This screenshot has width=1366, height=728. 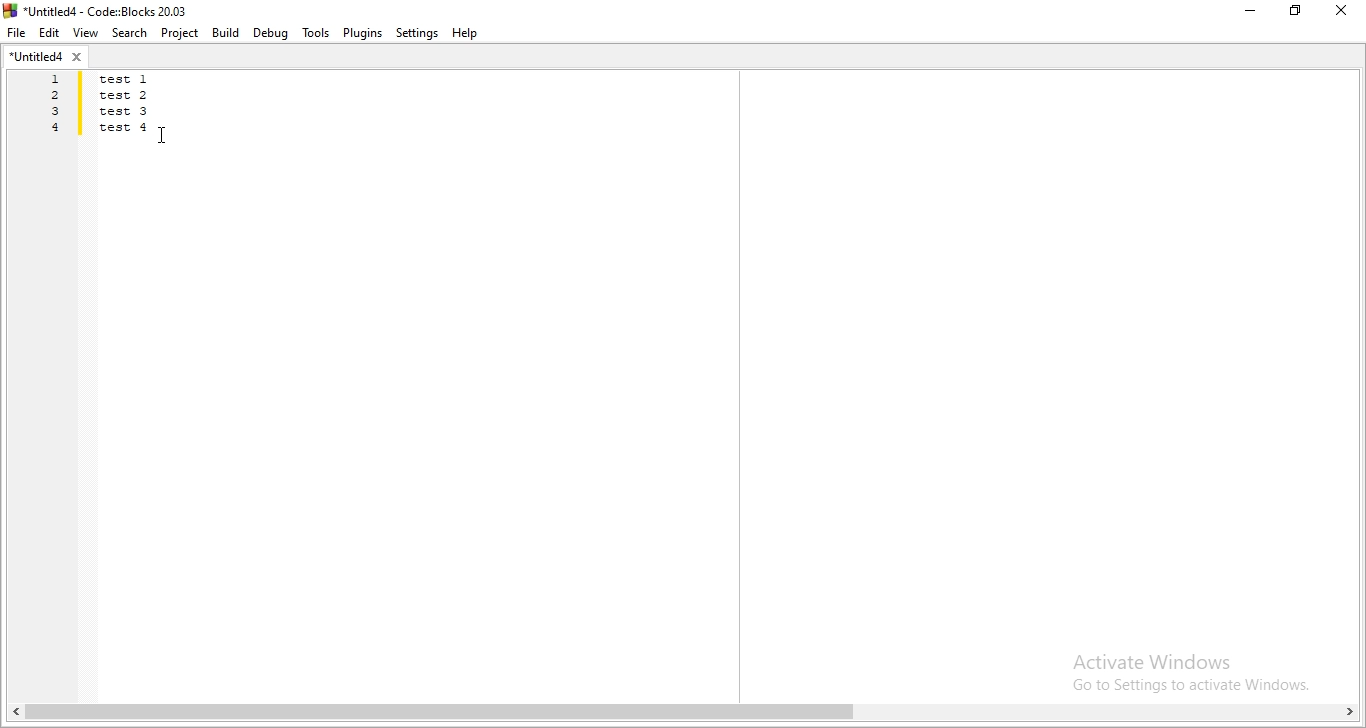 What do you see at coordinates (137, 79) in the screenshot?
I see `test 1` at bounding box center [137, 79].